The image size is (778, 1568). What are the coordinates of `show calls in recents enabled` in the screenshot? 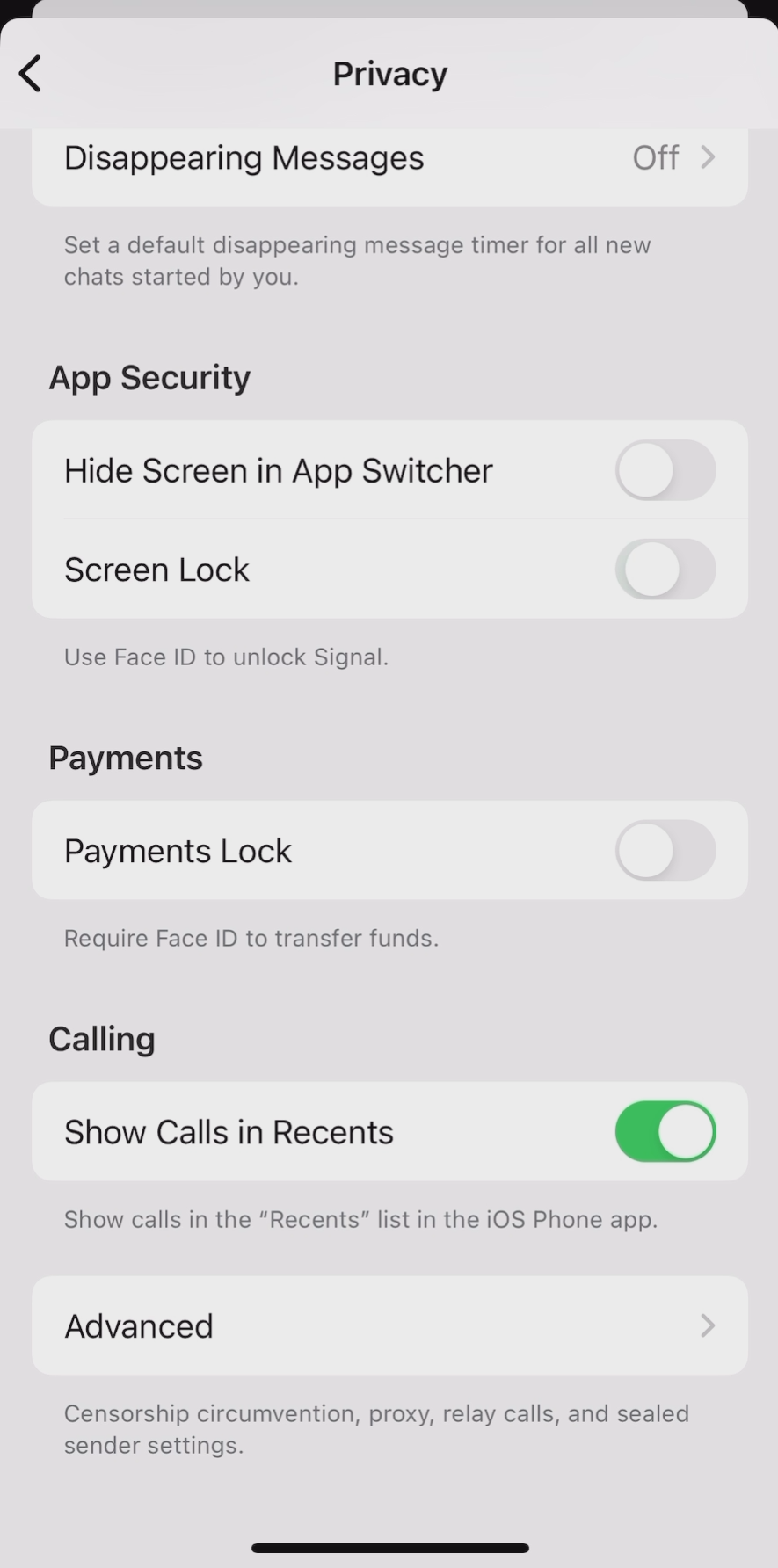 It's located at (389, 1136).